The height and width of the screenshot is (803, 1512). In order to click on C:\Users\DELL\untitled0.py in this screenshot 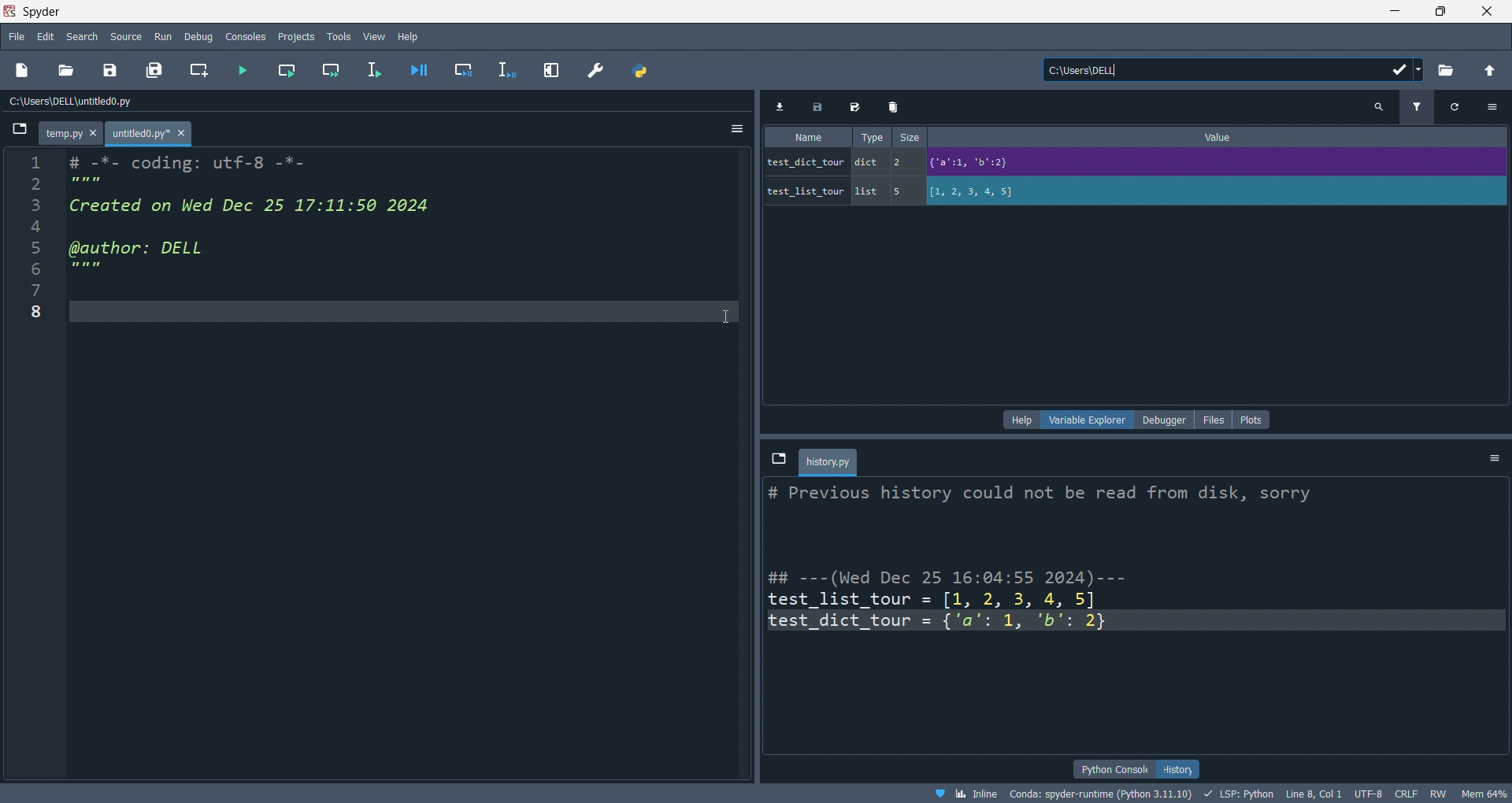, I will do `click(91, 102)`.